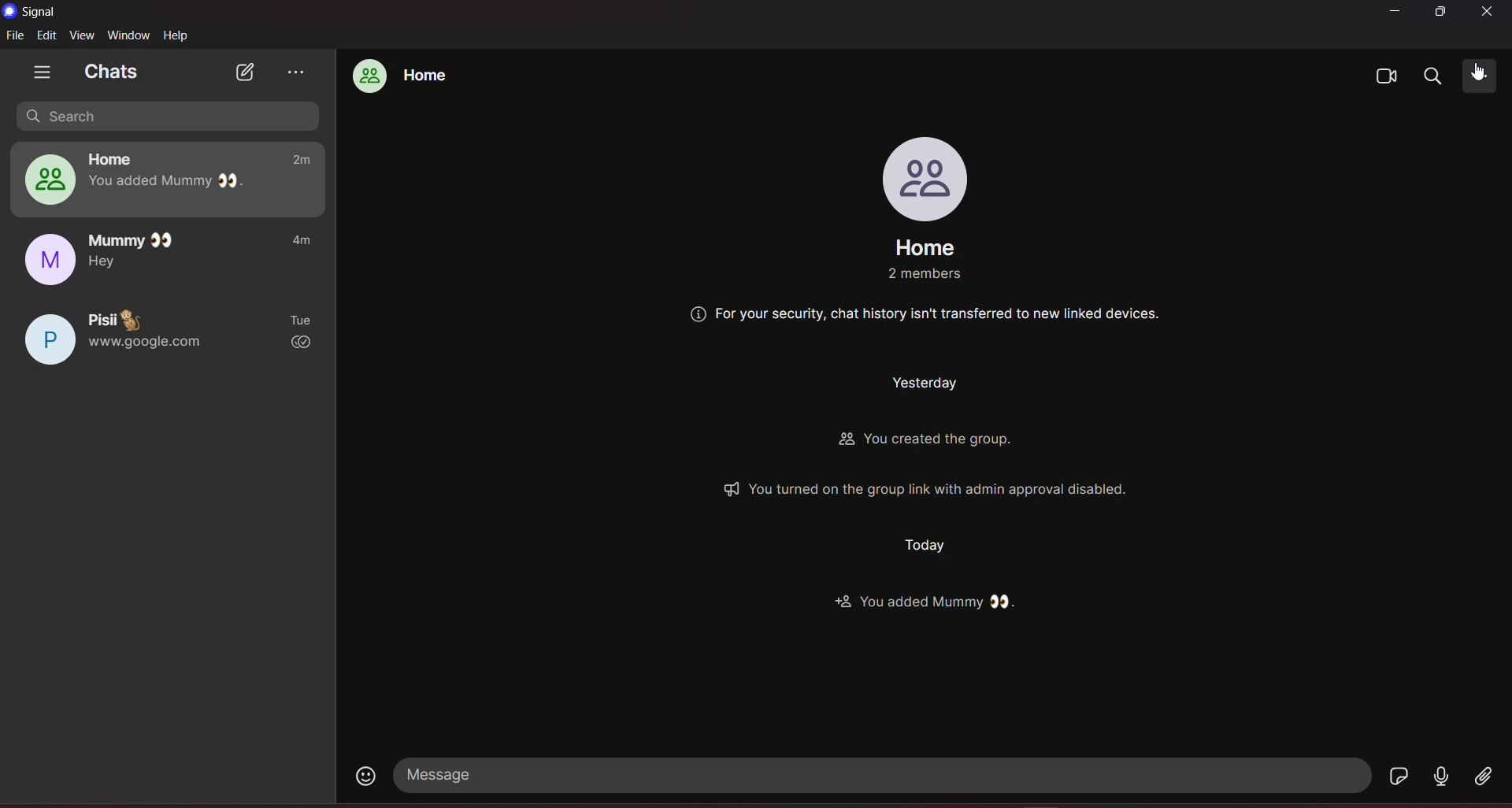 This screenshot has height=808, width=1512. I want to click on home group chat, so click(403, 75).